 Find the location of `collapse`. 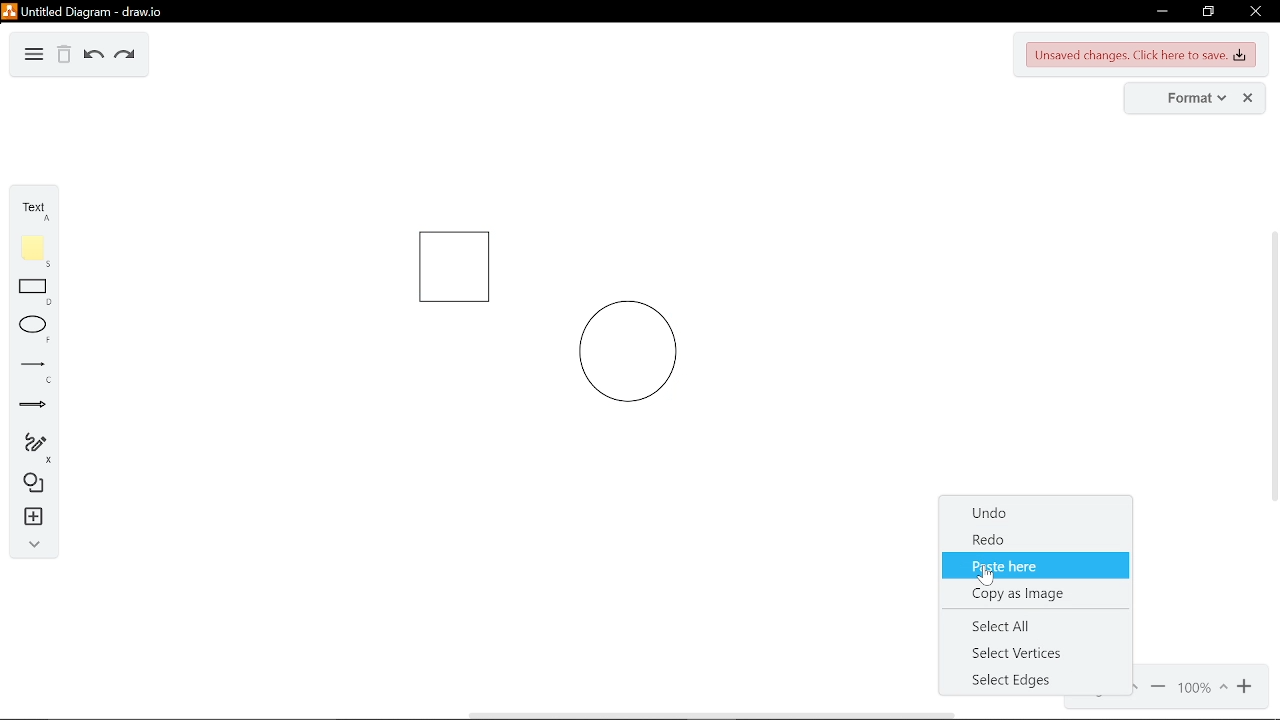

collapse is located at coordinates (29, 544).